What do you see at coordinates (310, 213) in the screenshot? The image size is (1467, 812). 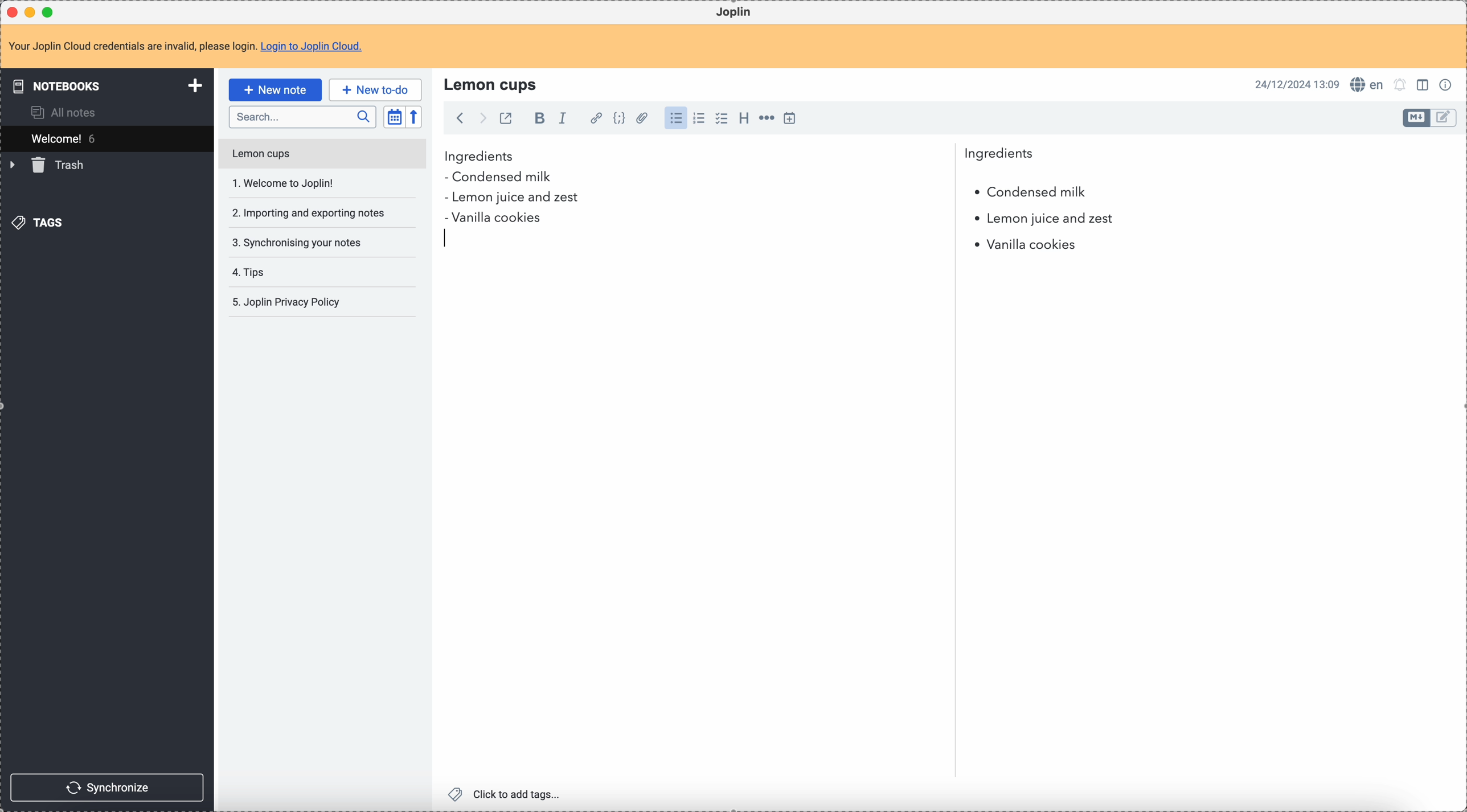 I see `importing and exporting your notes` at bounding box center [310, 213].